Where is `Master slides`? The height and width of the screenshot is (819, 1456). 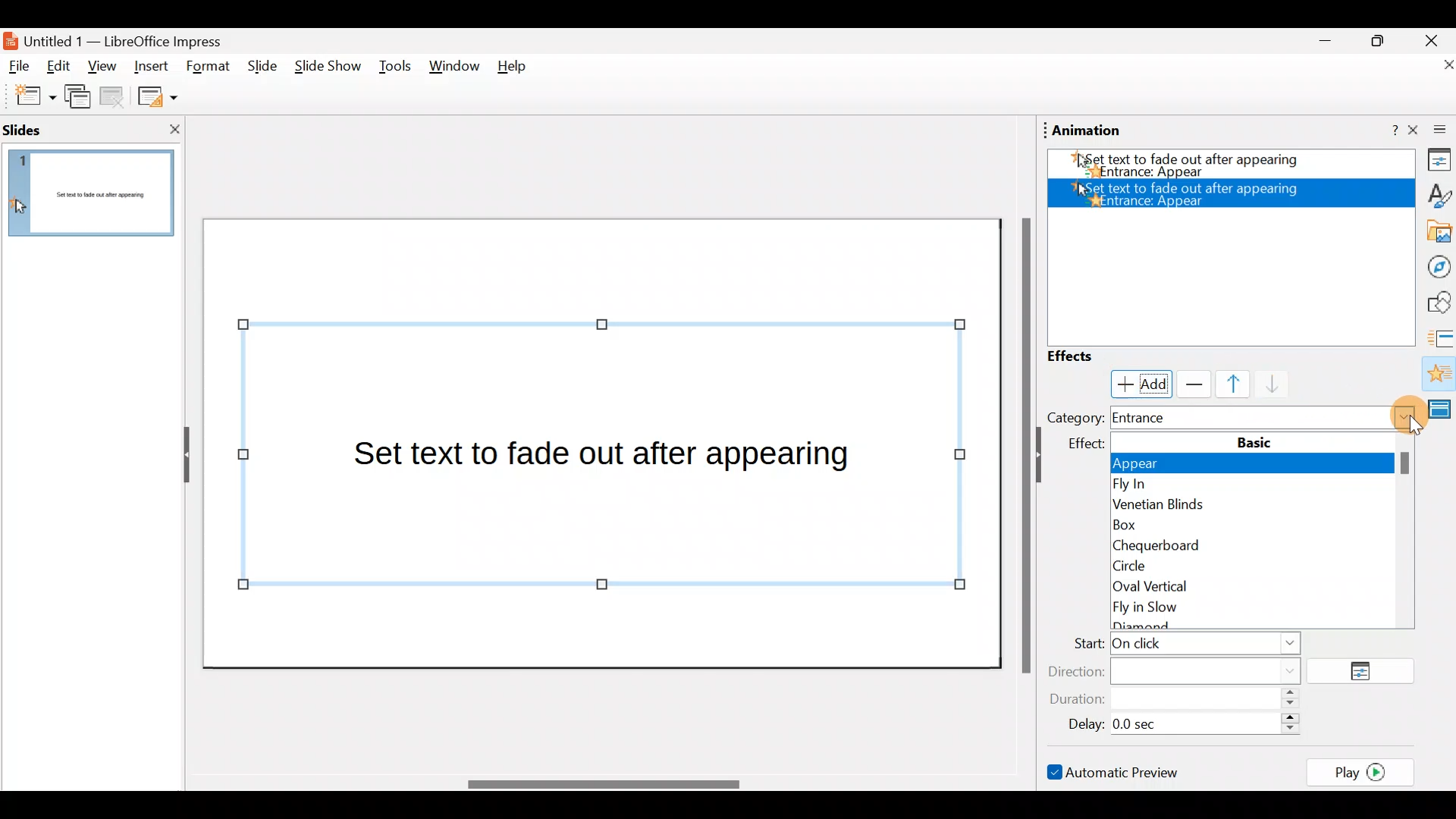 Master slides is located at coordinates (1442, 416).